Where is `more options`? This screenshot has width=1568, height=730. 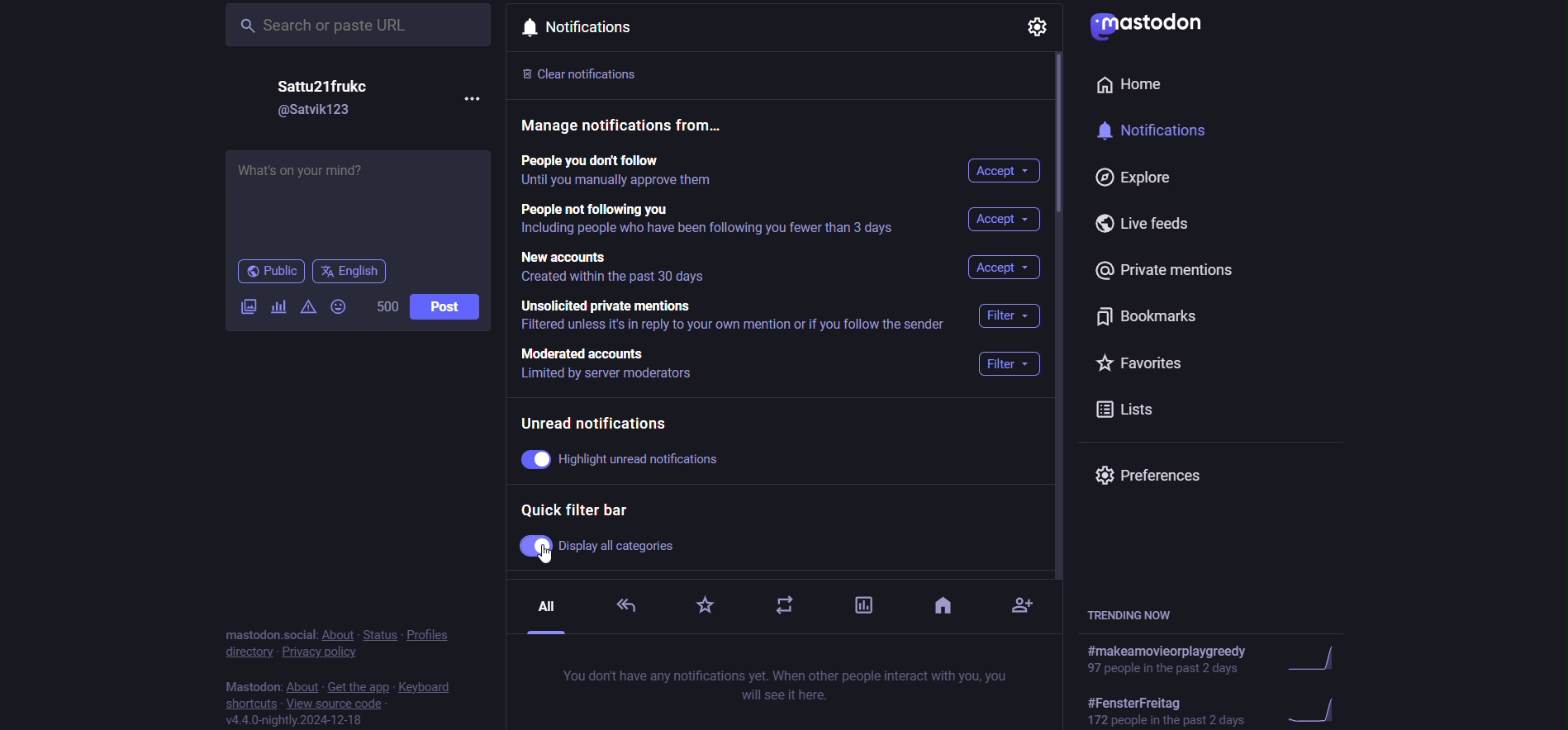
more options is located at coordinates (478, 101).